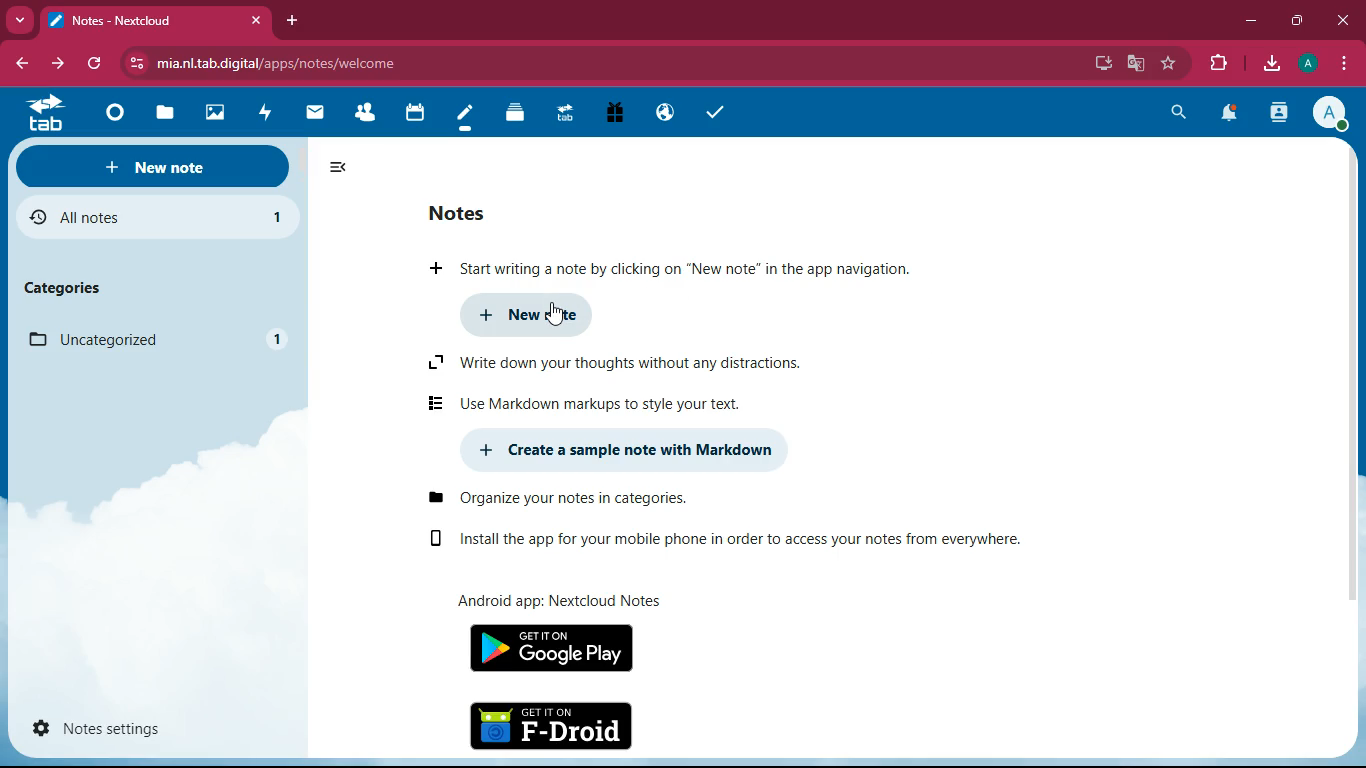 The height and width of the screenshot is (768, 1366). Describe the element at coordinates (517, 114) in the screenshot. I see `layers` at that location.